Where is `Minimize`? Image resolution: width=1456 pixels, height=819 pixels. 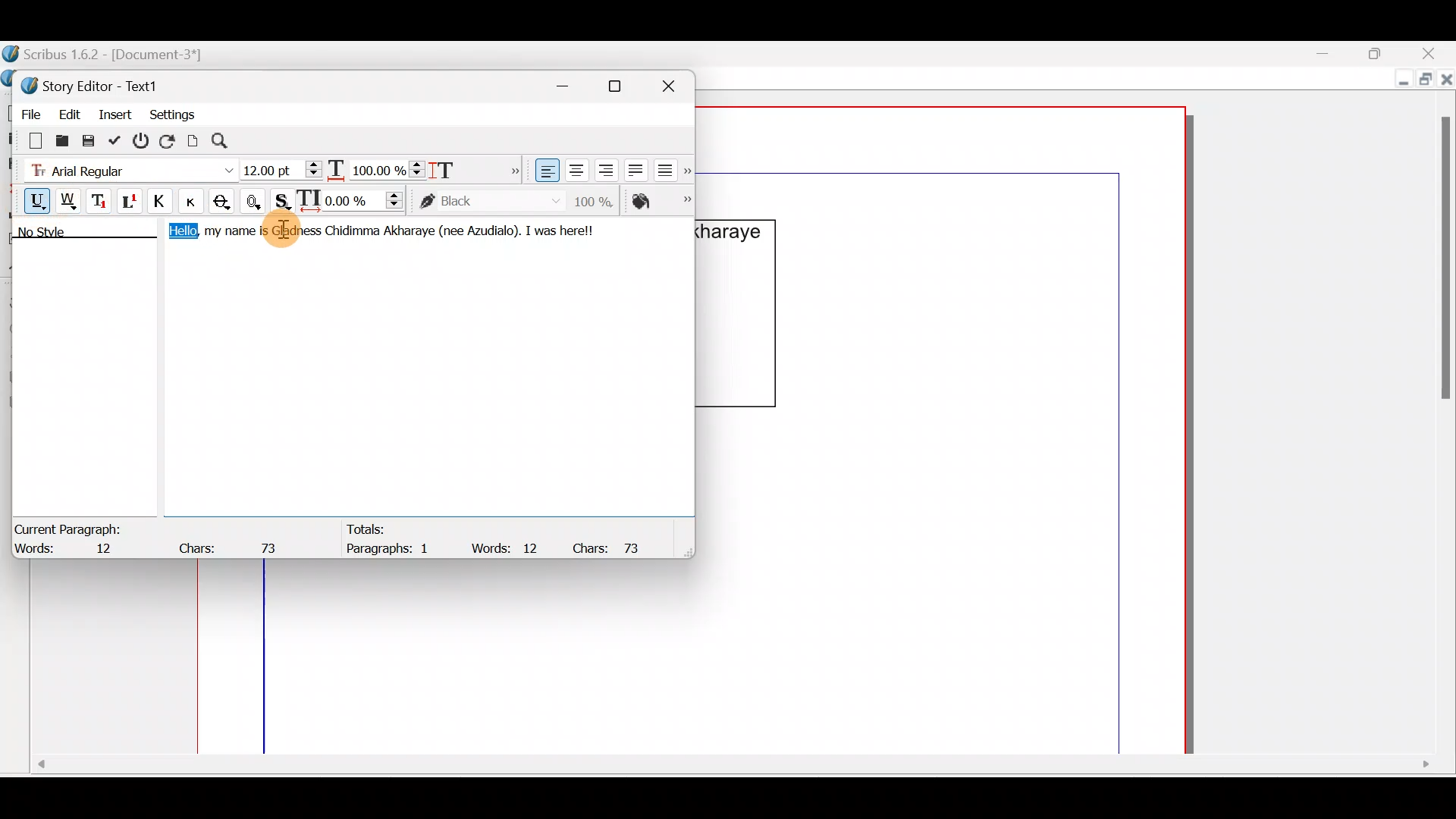
Minimize is located at coordinates (1334, 54).